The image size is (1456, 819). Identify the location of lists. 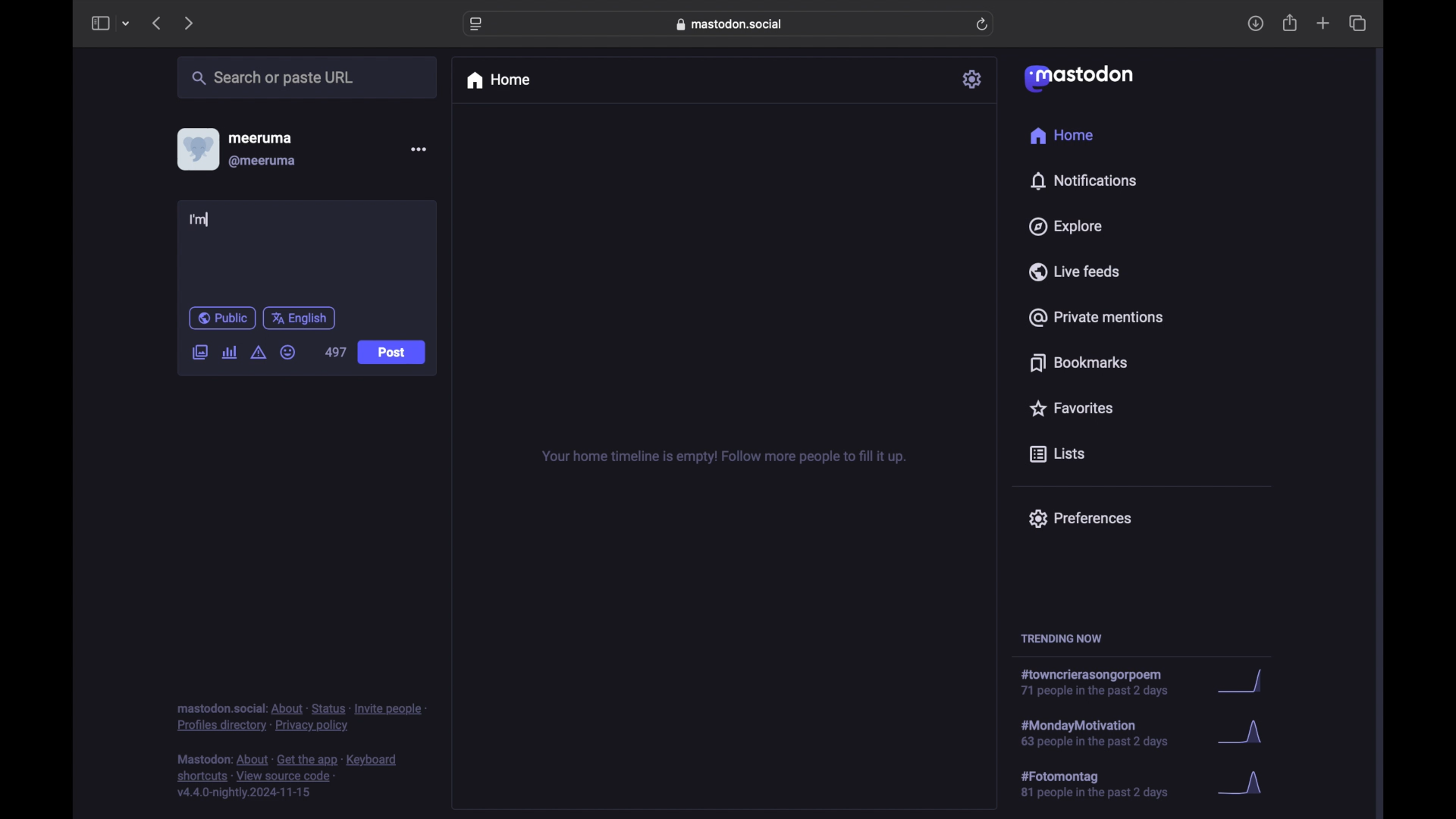
(1057, 455).